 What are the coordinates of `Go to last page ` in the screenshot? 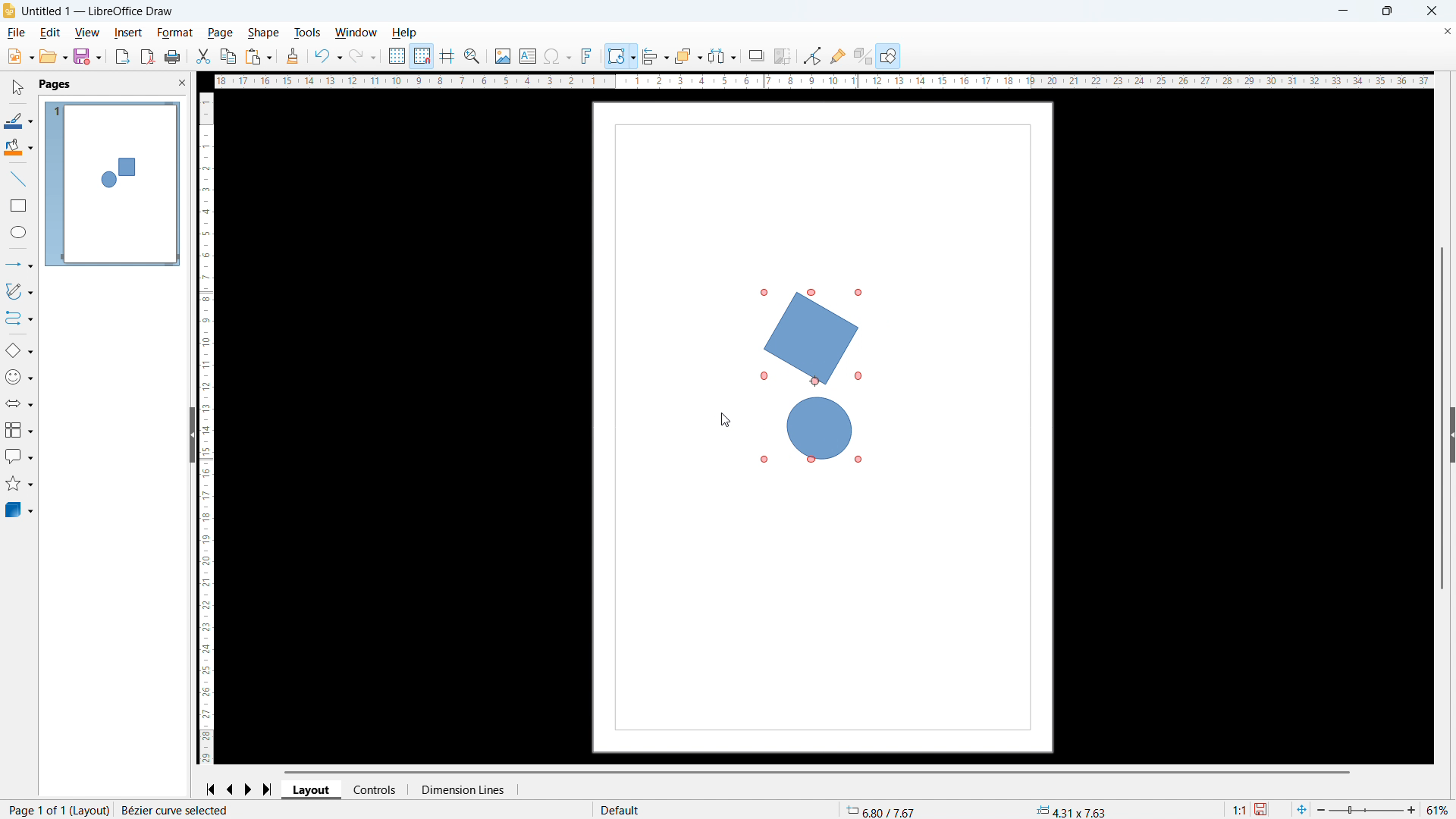 It's located at (268, 789).